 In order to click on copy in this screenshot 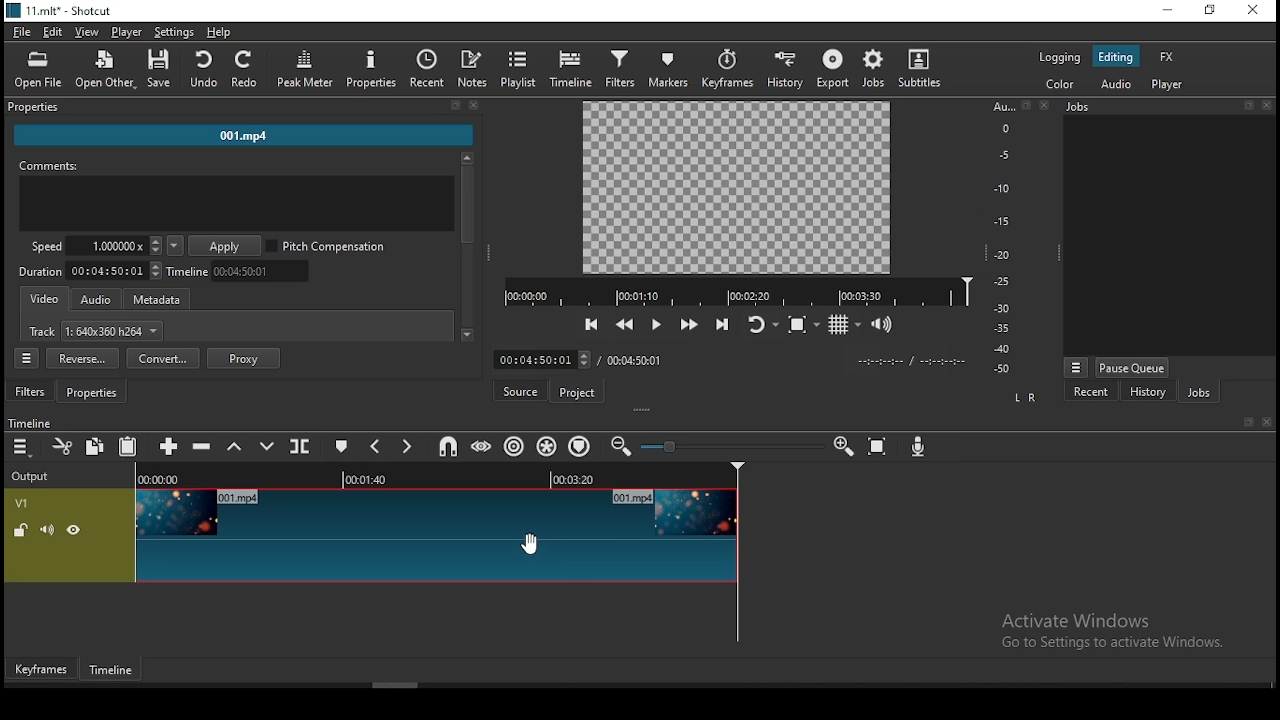, I will do `click(96, 446)`.